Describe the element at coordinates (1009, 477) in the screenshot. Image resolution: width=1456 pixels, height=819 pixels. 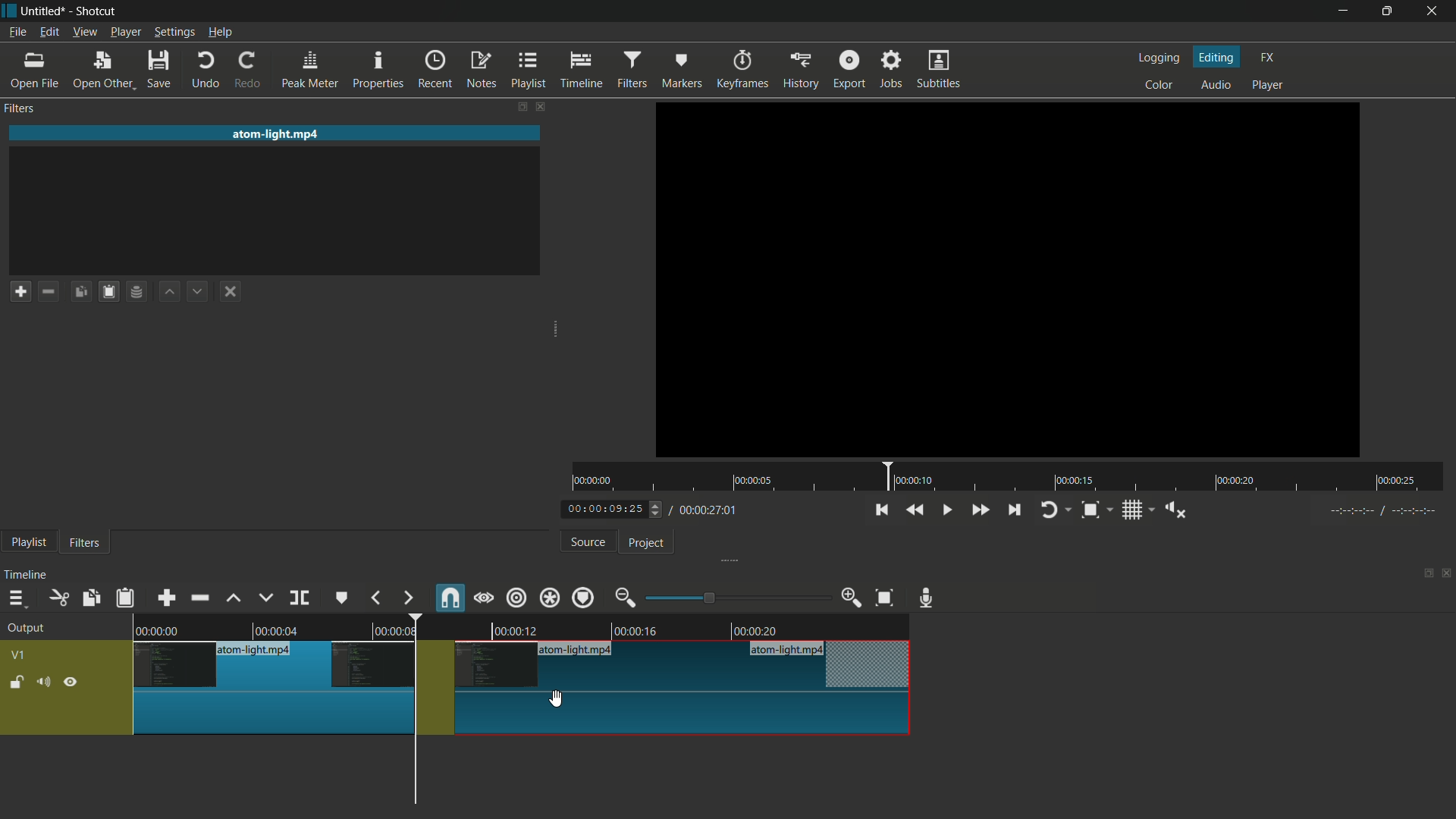
I see `time` at that location.